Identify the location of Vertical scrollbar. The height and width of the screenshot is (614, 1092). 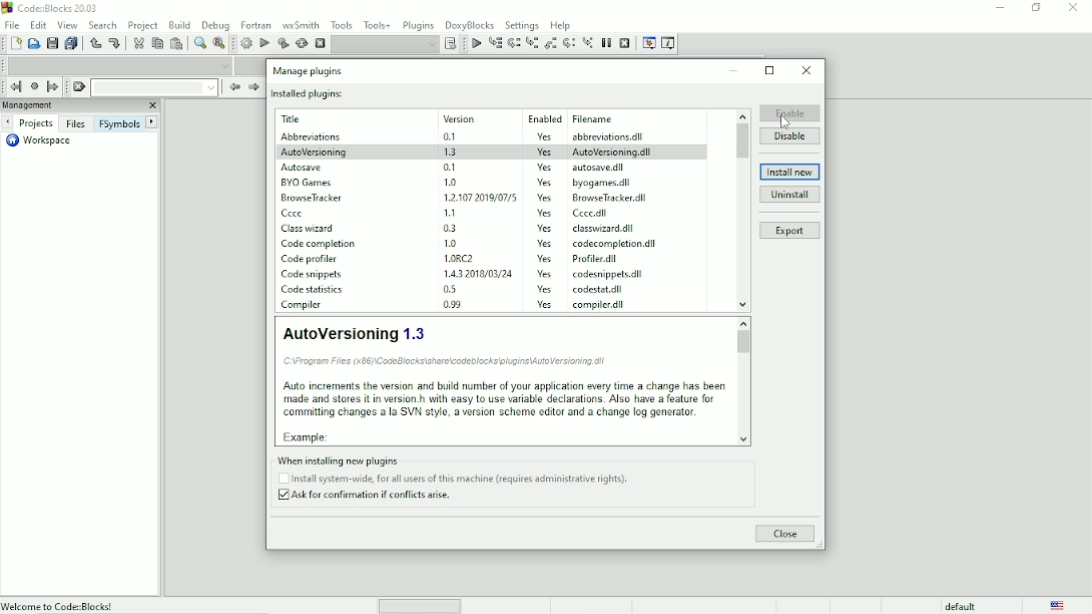
(743, 345).